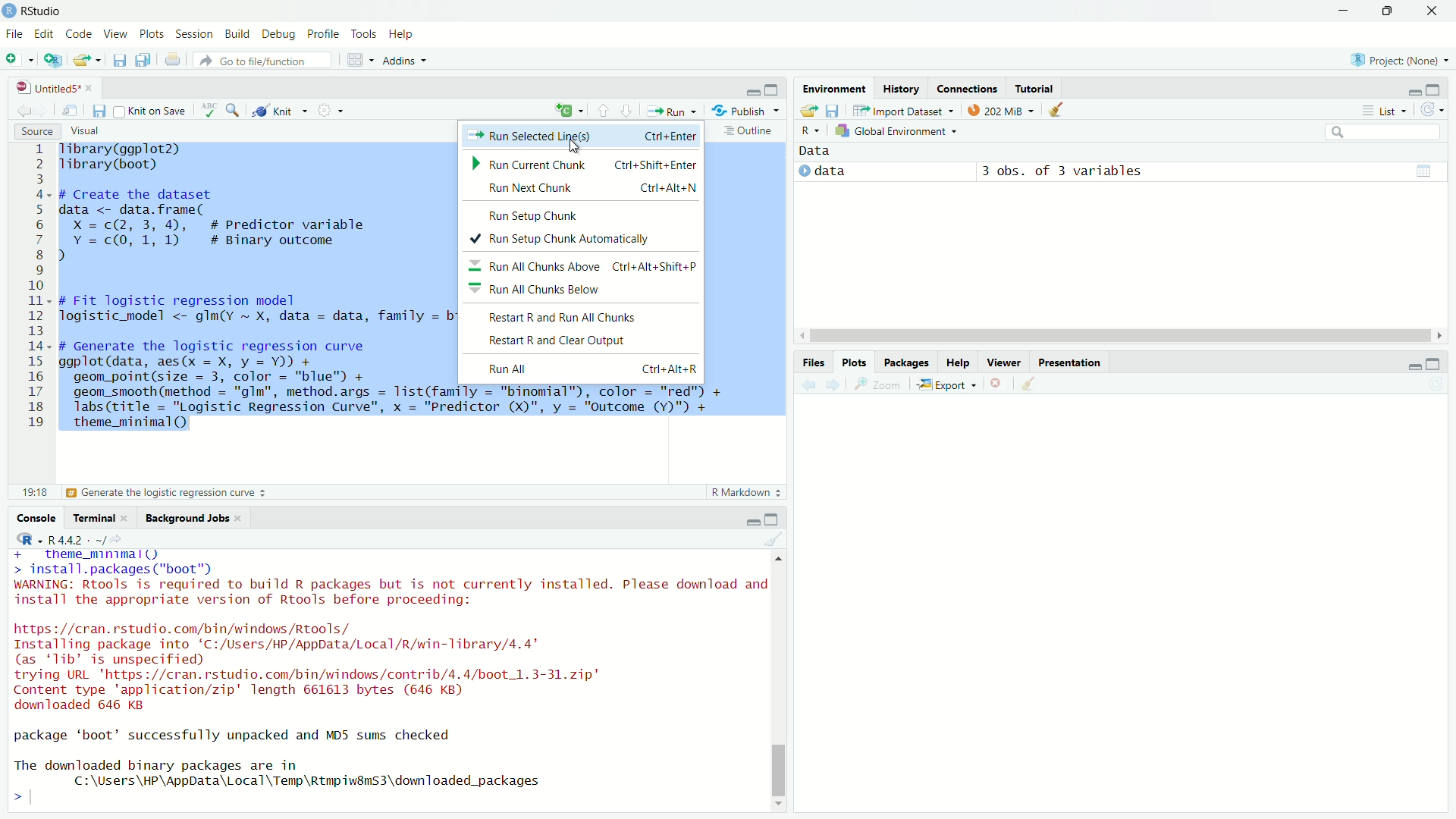  I want to click on View the current working current directory, so click(117, 538).